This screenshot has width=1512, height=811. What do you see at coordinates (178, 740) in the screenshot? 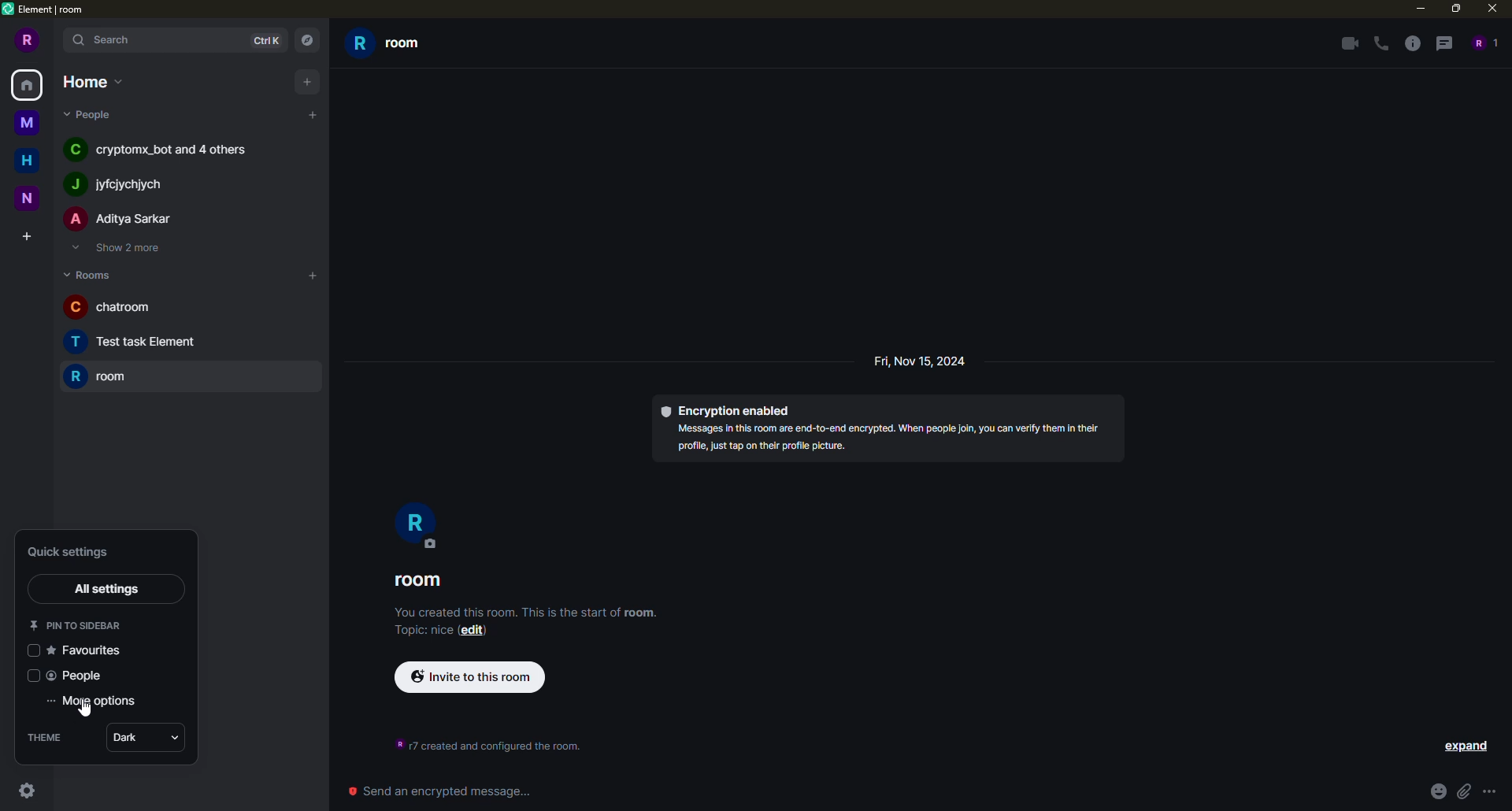
I see `drop down` at bounding box center [178, 740].